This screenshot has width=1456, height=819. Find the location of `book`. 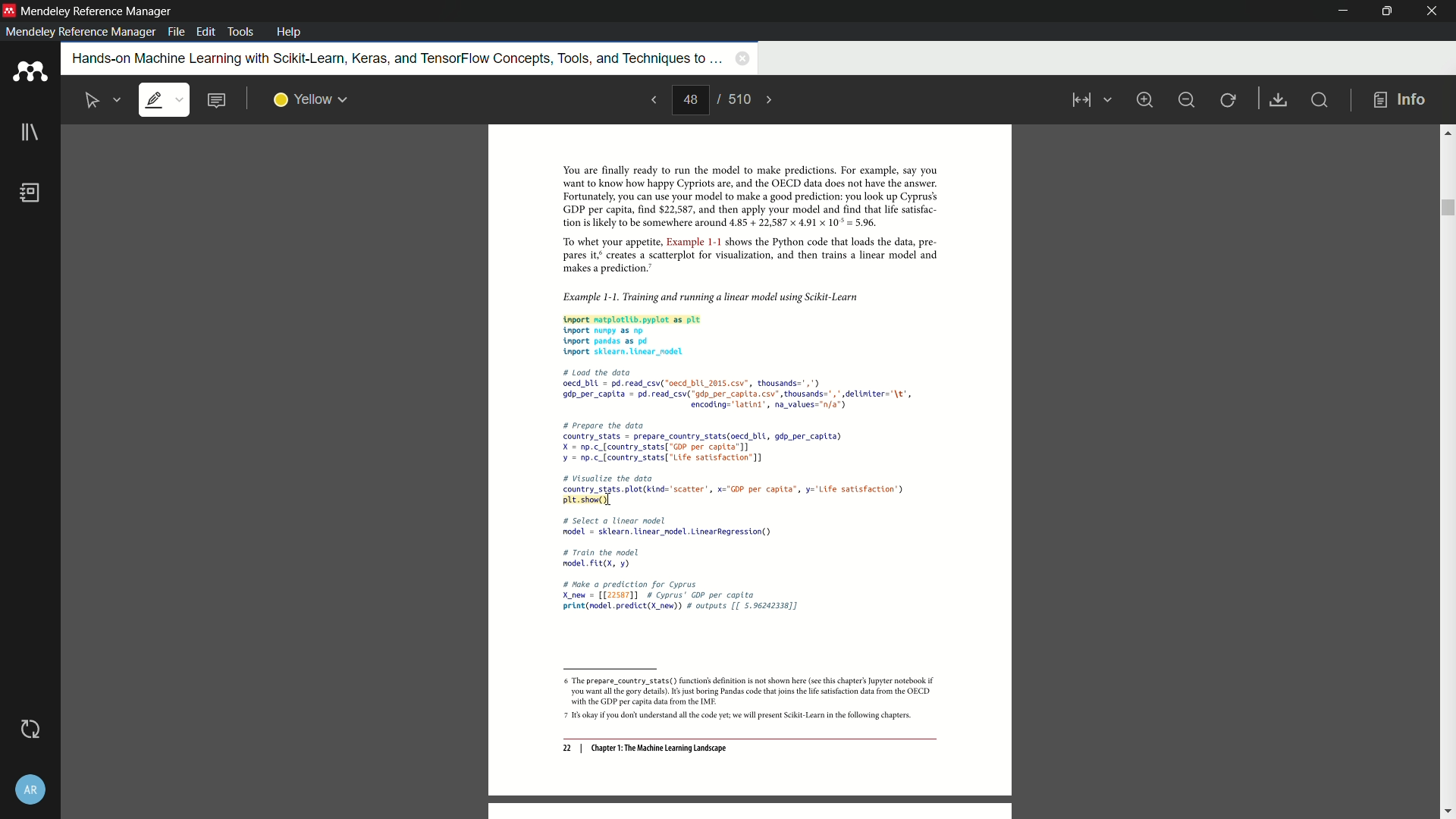

book is located at coordinates (31, 193).